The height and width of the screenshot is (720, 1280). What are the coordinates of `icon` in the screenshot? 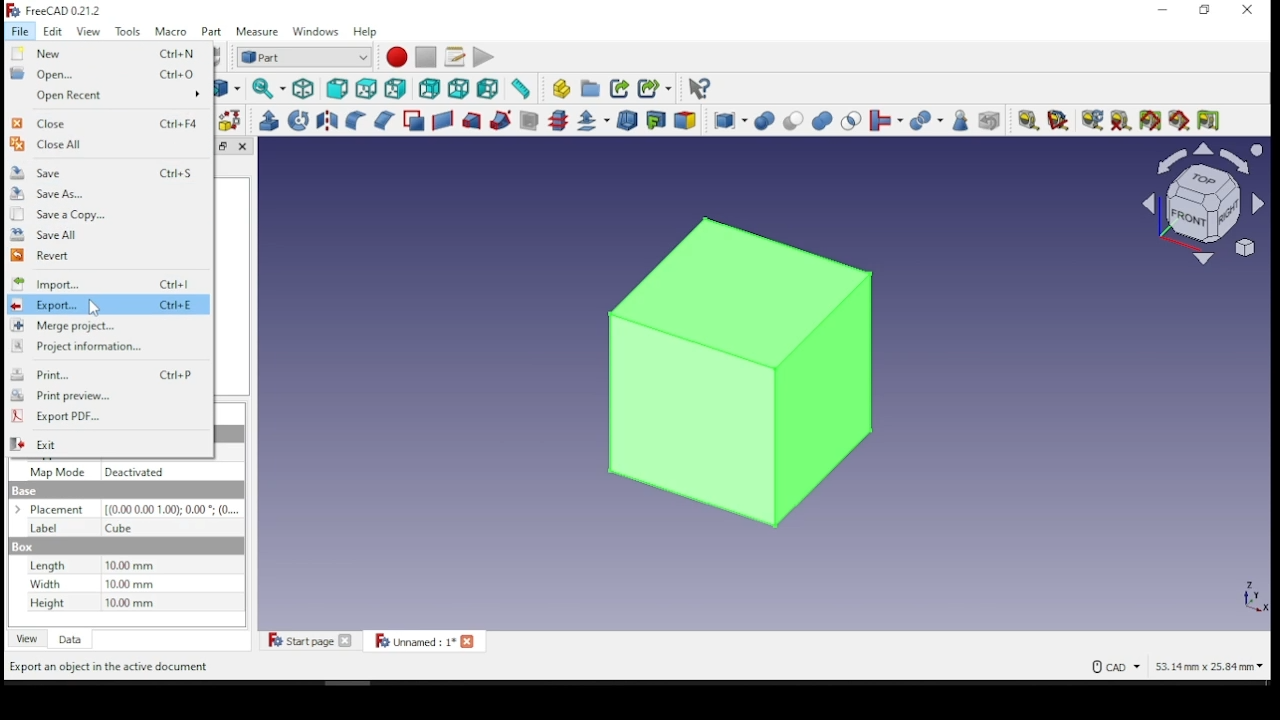 It's located at (57, 13).